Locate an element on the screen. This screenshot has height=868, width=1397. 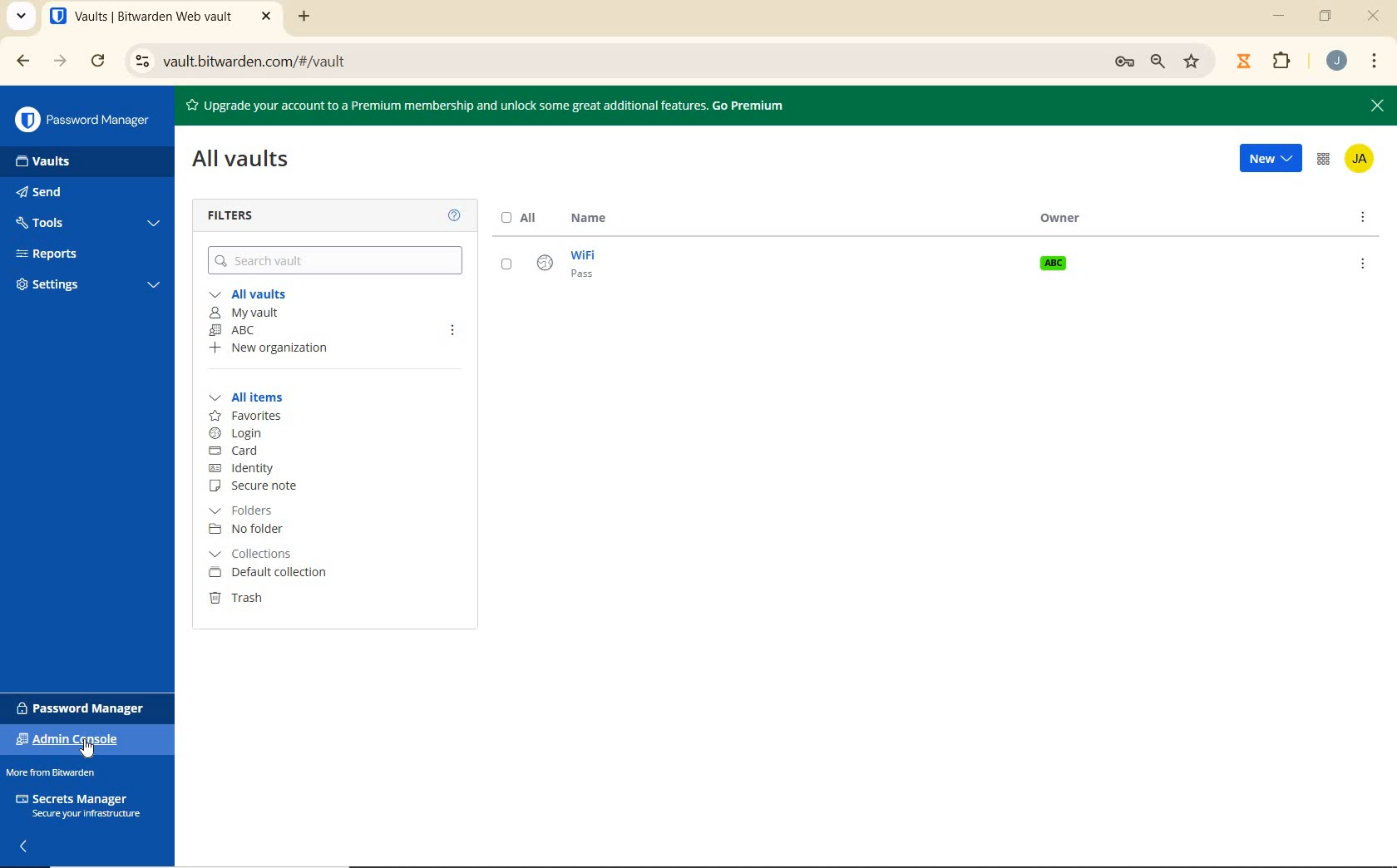
NAME is located at coordinates (590, 219).